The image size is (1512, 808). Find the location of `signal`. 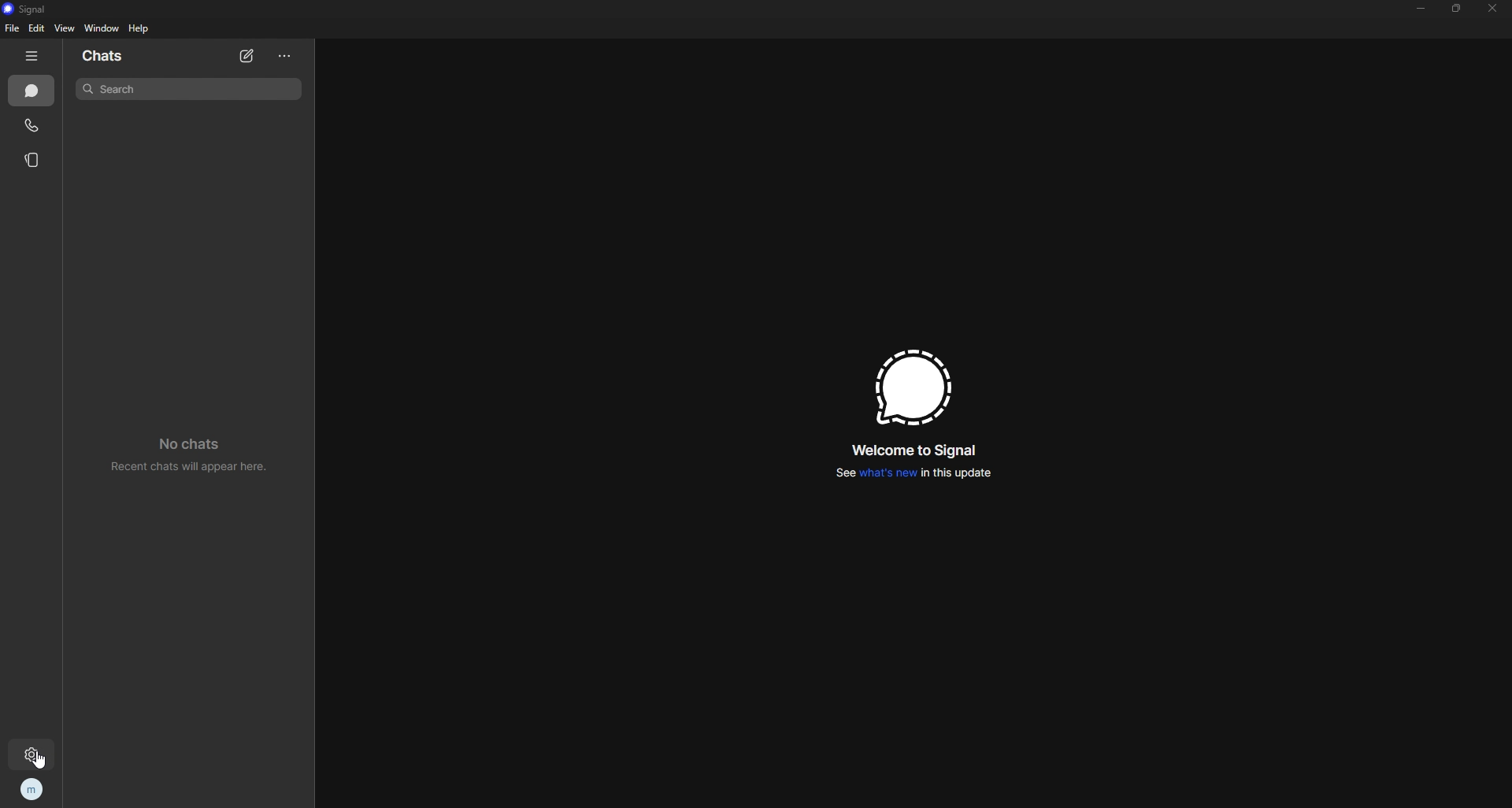

signal is located at coordinates (31, 9).